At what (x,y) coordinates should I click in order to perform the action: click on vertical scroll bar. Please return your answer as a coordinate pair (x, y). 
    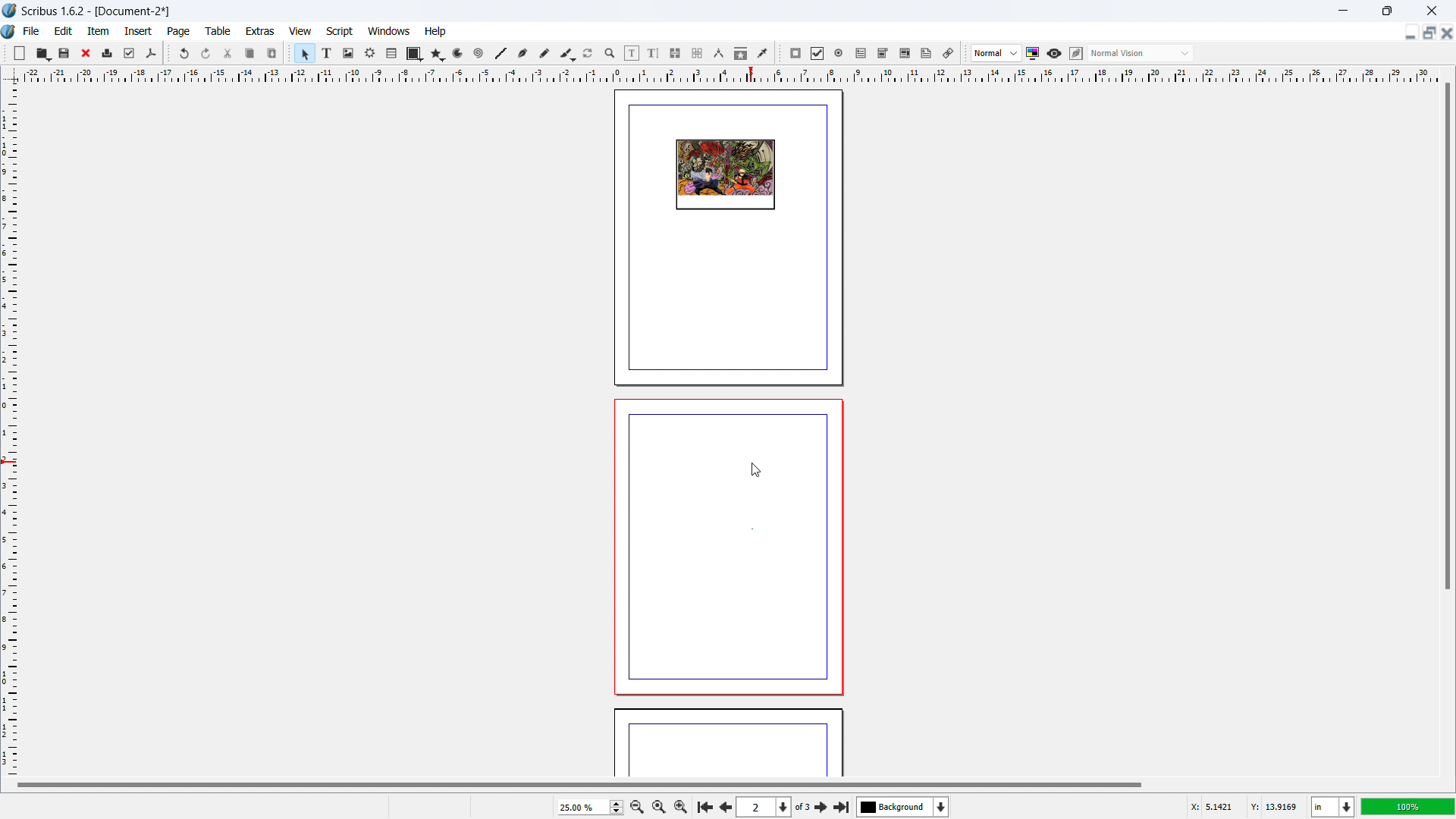
    Looking at the image, I should click on (1445, 339).